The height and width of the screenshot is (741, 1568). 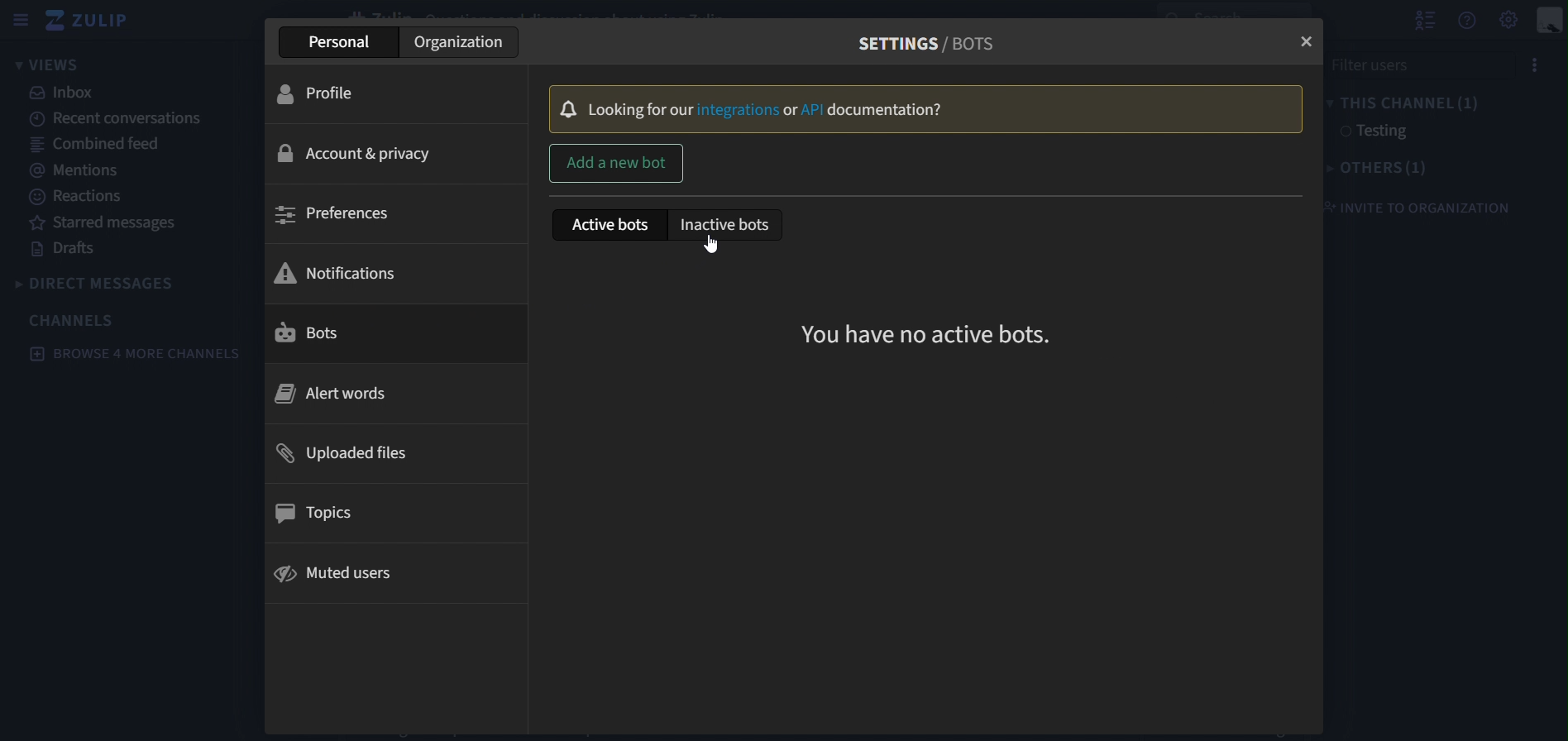 What do you see at coordinates (885, 110) in the screenshot?
I see `Documentation?` at bounding box center [885, 110].